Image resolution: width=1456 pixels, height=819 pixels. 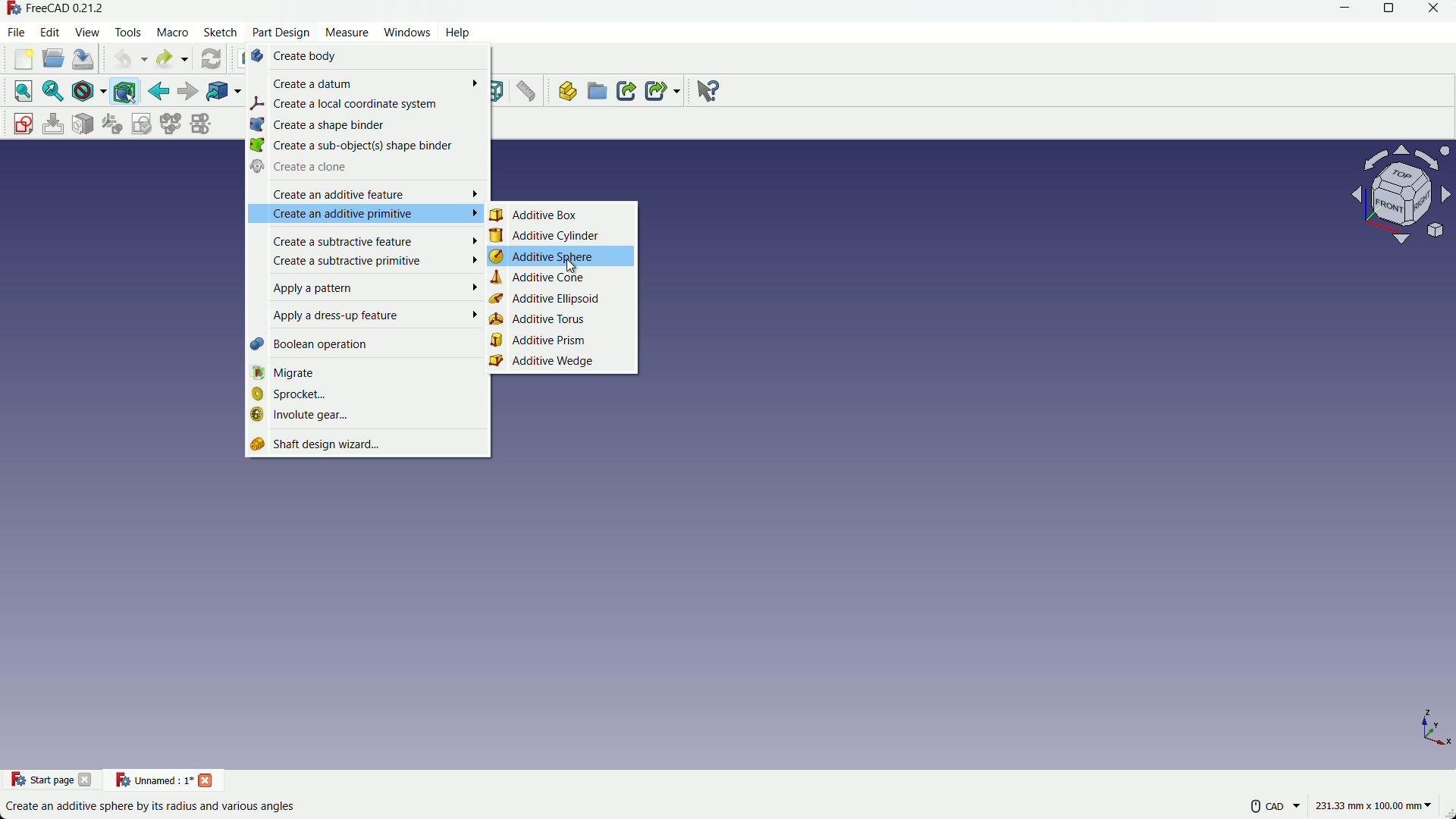 What do you see at coordinates (560, 280) in the screenshot?
I see `additive cone` at bounding box center [560, 280].